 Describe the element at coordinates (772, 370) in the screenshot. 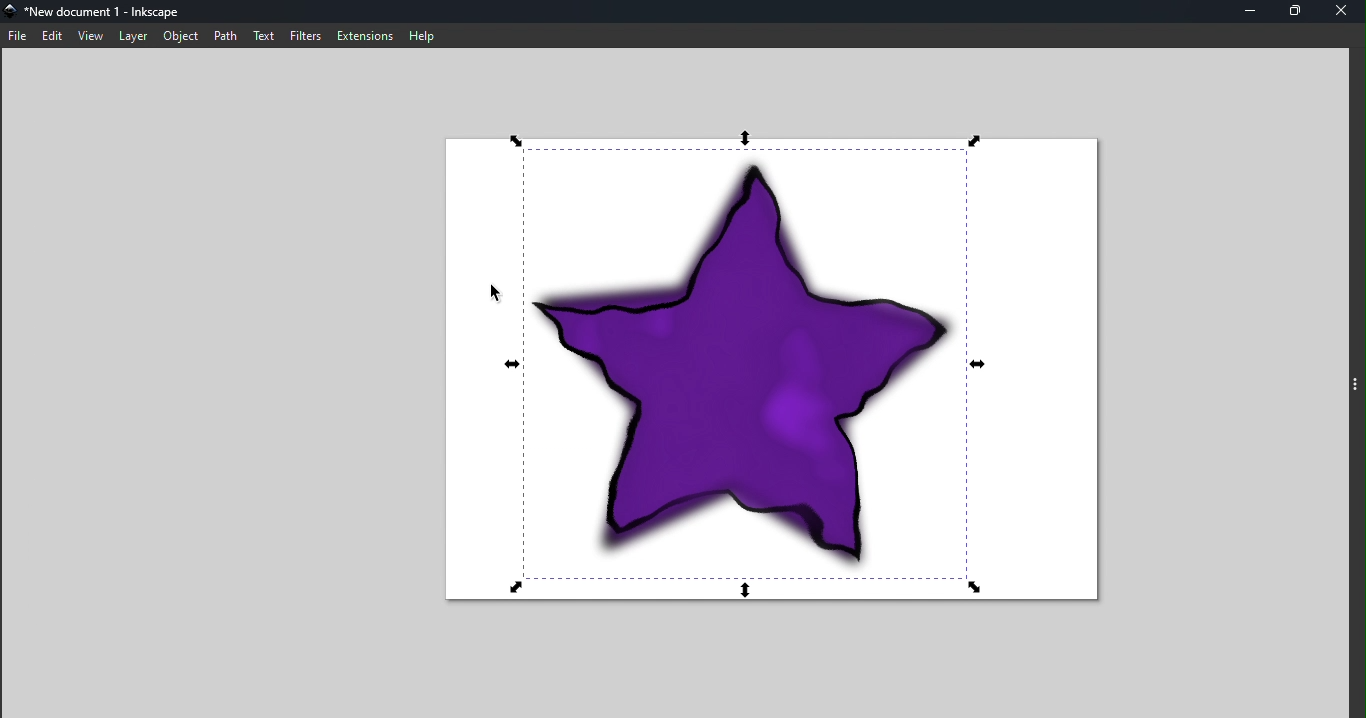

I see `Canvas` at that location.